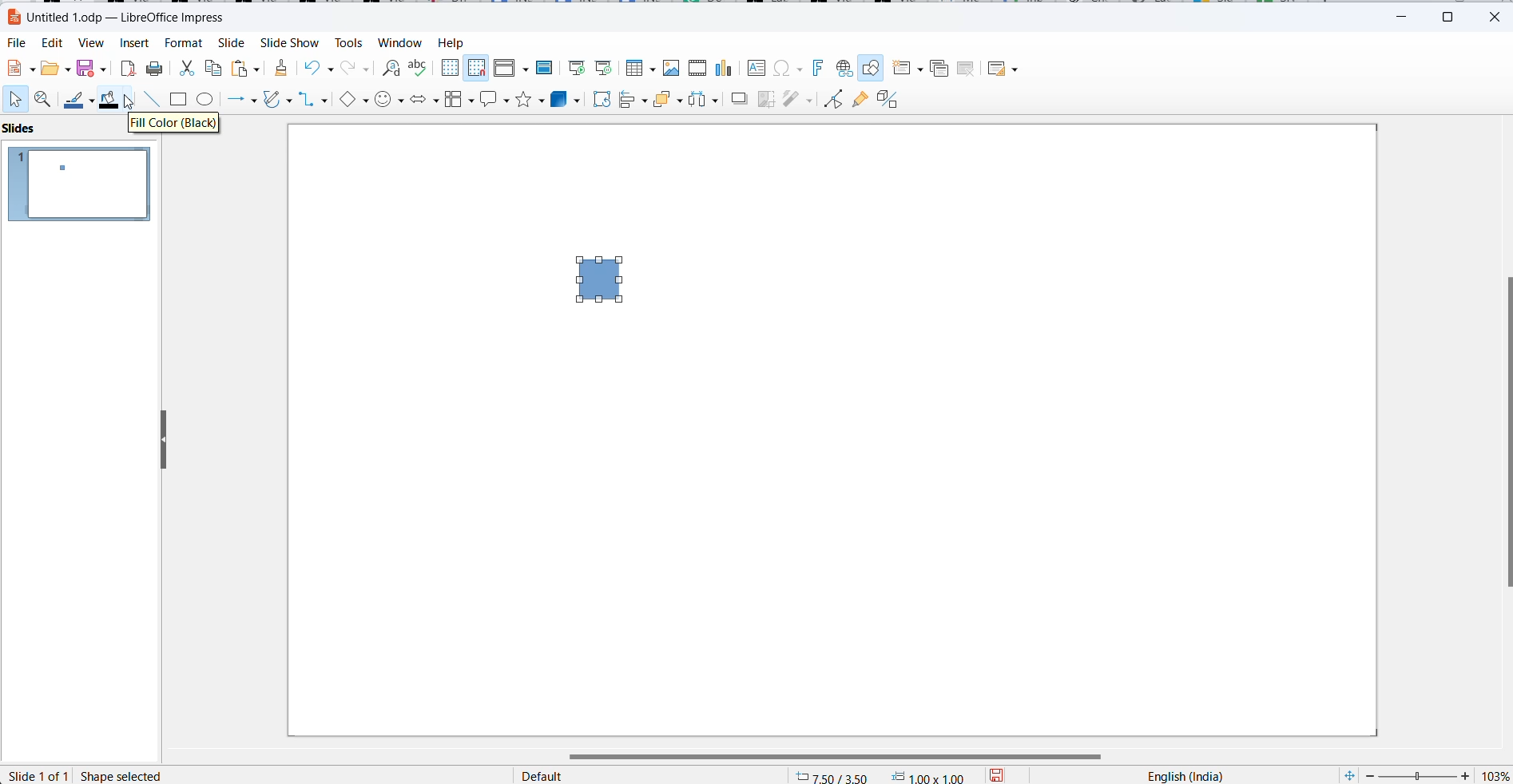 The height and width of the screenshot is (784, 1513). What do you see at coordinates (323, 68) in the screenshot?
I see `undo` at bounding box center [323, 68].